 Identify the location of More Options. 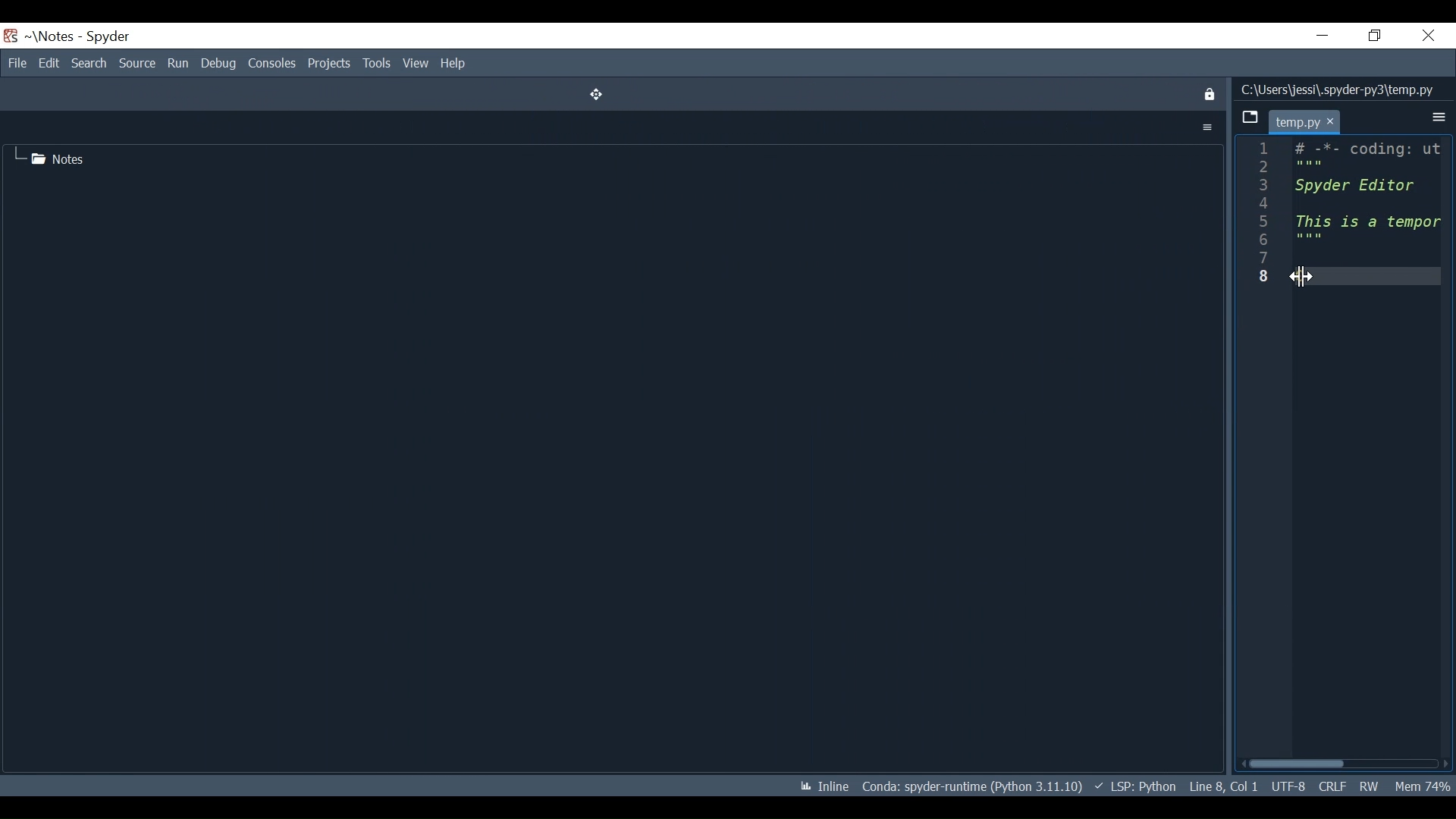
(1439, 118).